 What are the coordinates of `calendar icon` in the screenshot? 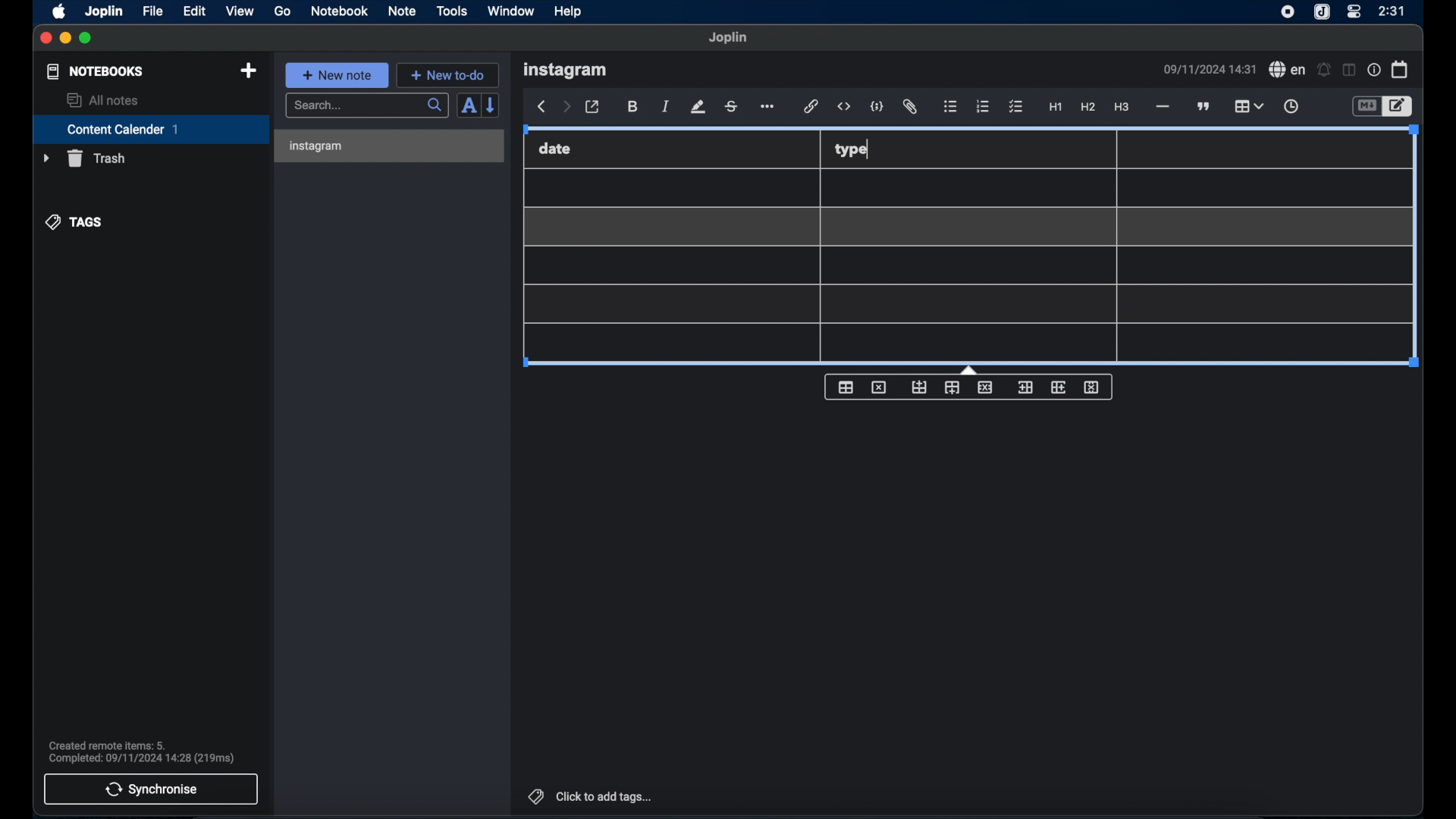 It's located at (1401, 70).